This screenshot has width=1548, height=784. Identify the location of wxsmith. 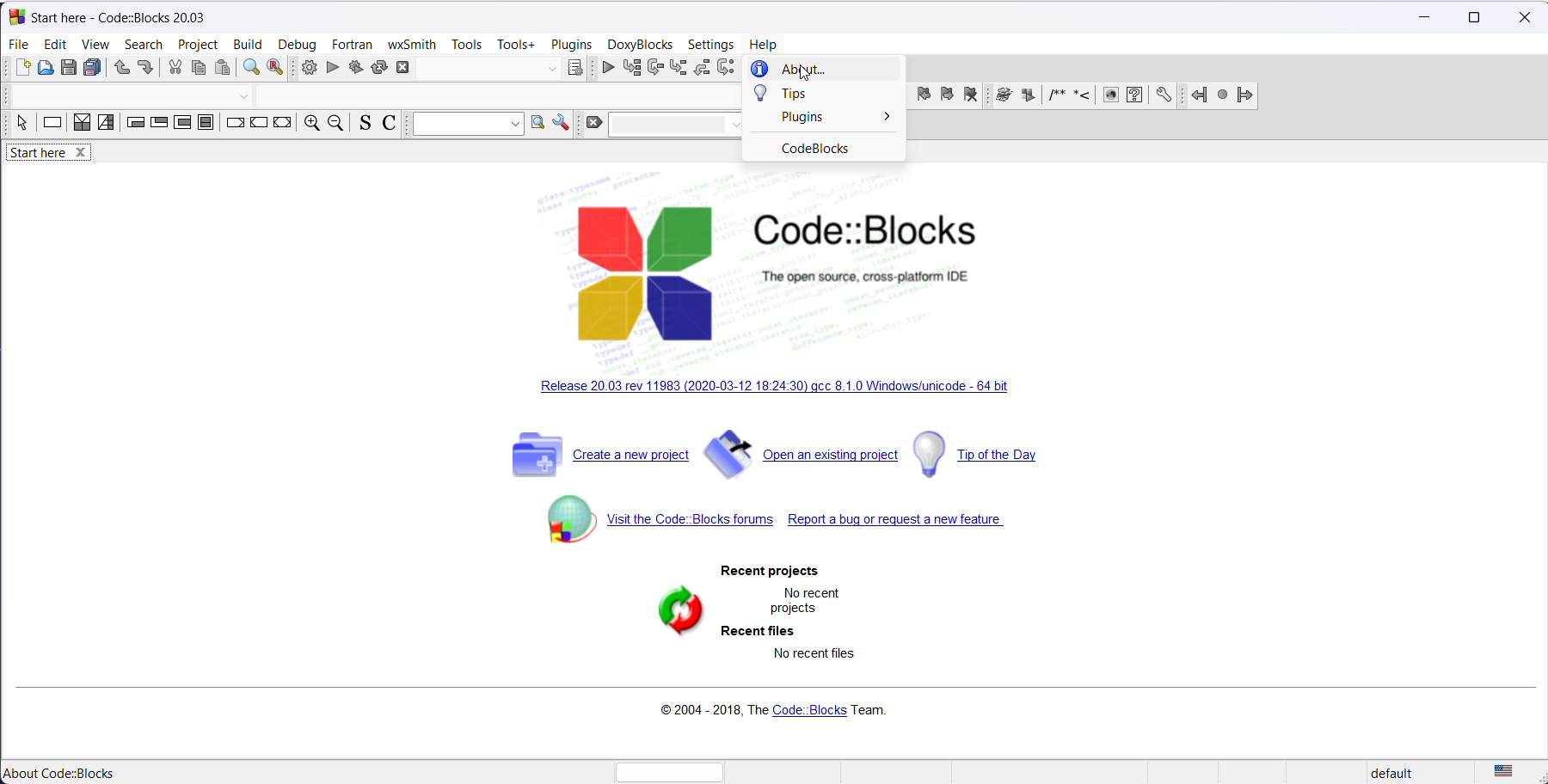
(409, 44).